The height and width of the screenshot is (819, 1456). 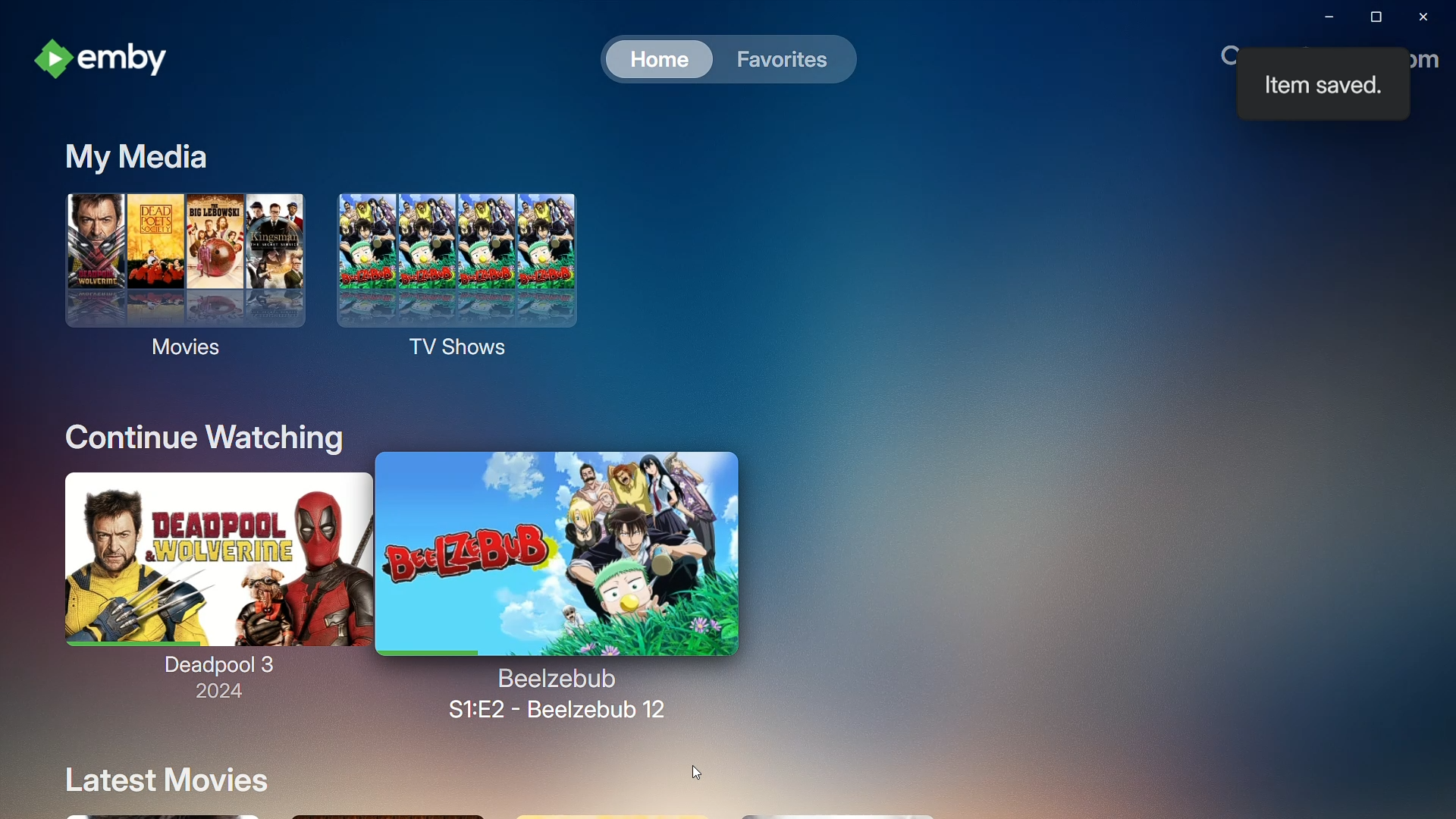 I want to click on Deadpool 3, so click(x=209, y=569).